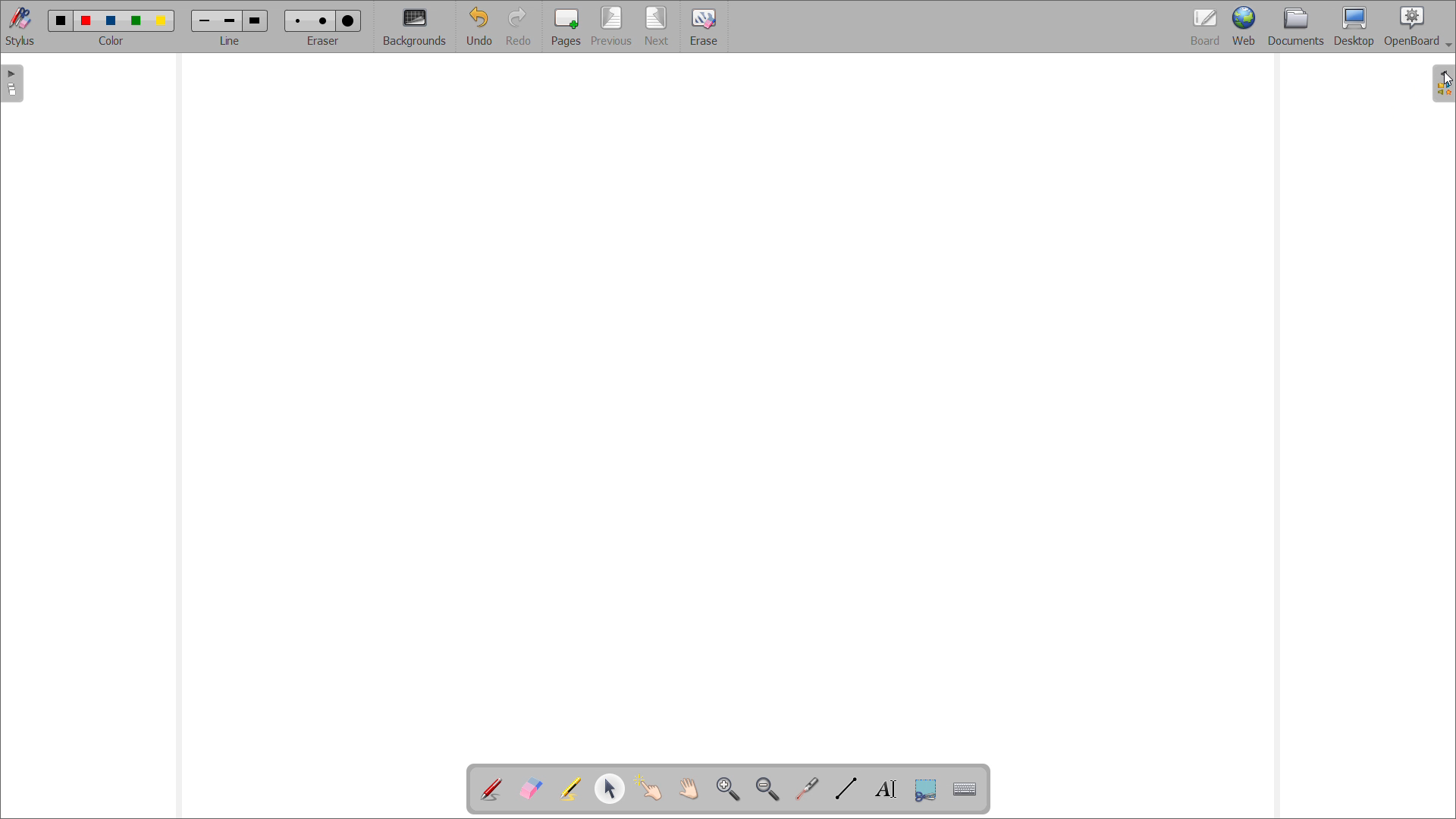  What do you see at coordinates (59, 20) in the screenshot?
I see `Color 1` at bounding box center [59, 20].